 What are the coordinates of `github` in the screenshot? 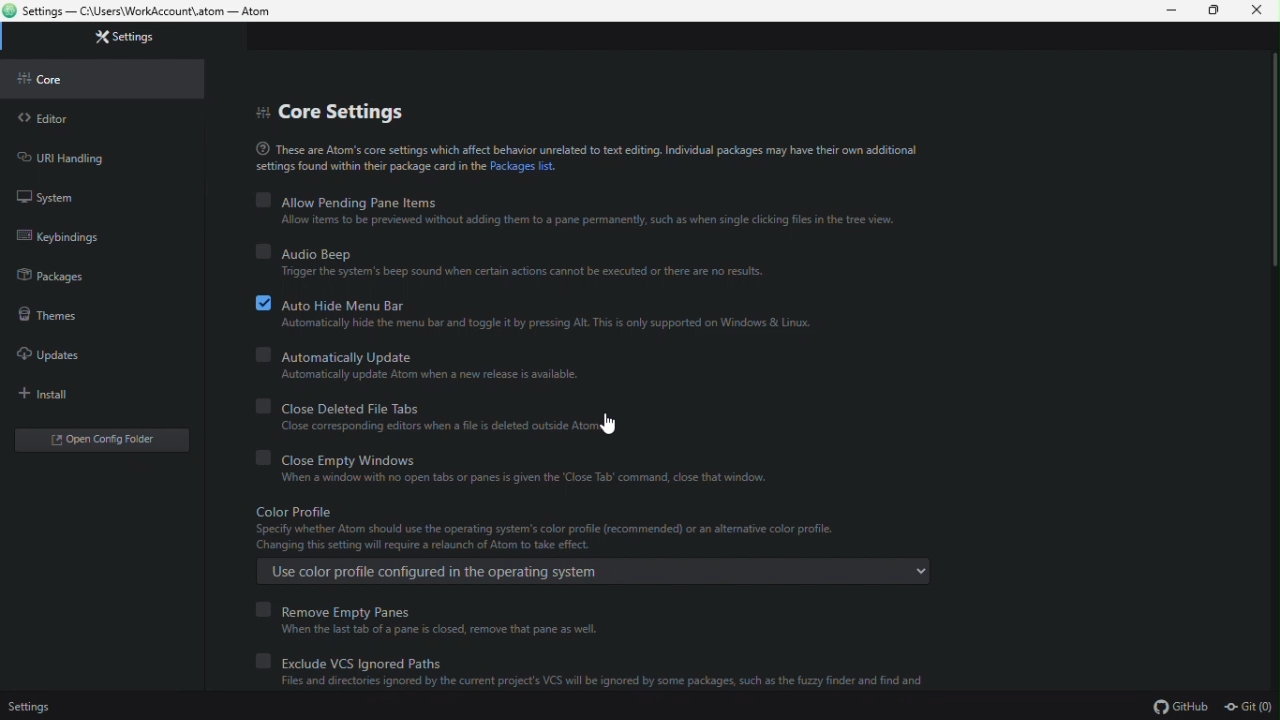 It's located at (1179, 706).